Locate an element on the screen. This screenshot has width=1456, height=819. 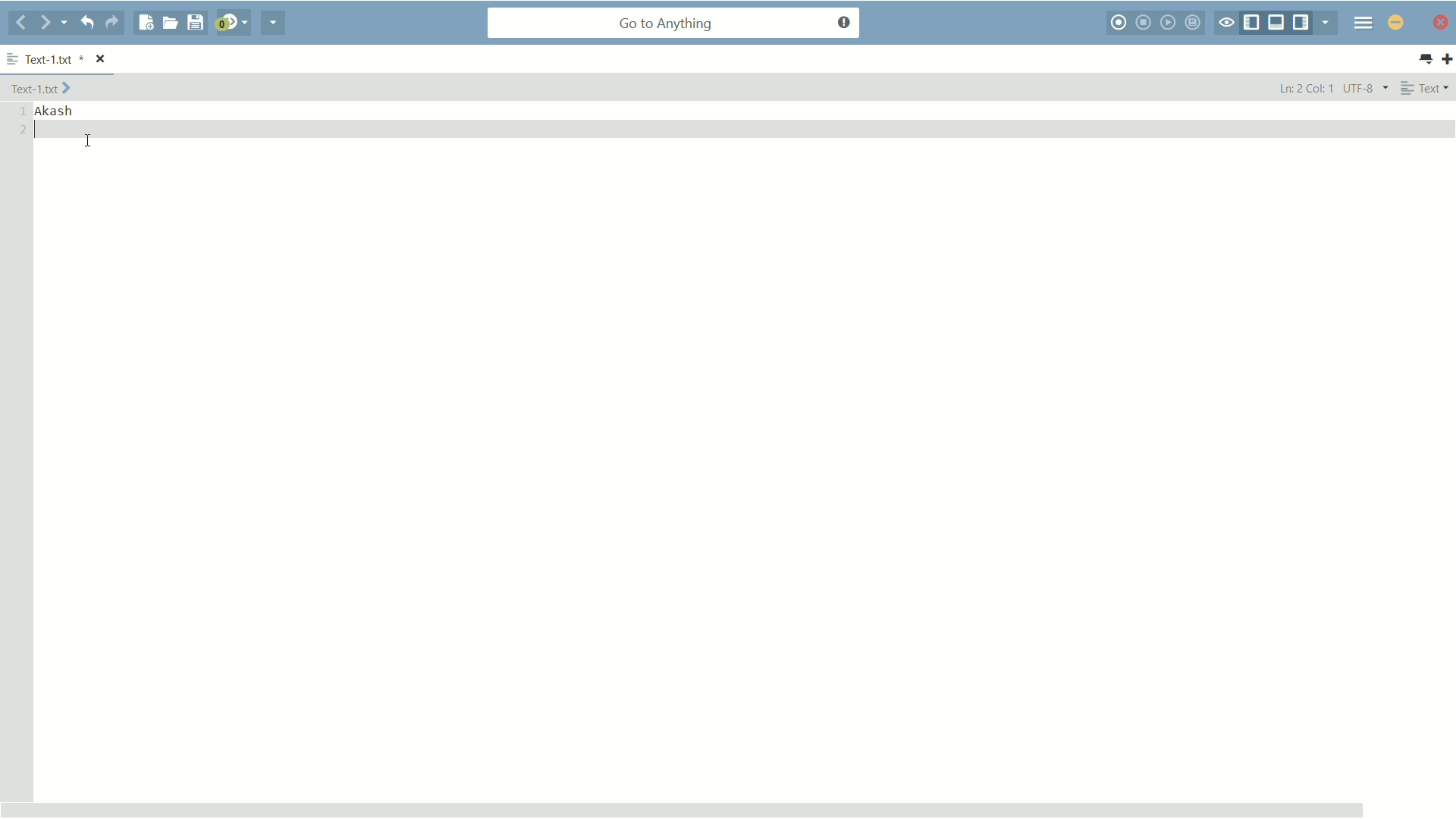
new file is located at coordinates (145, 23).